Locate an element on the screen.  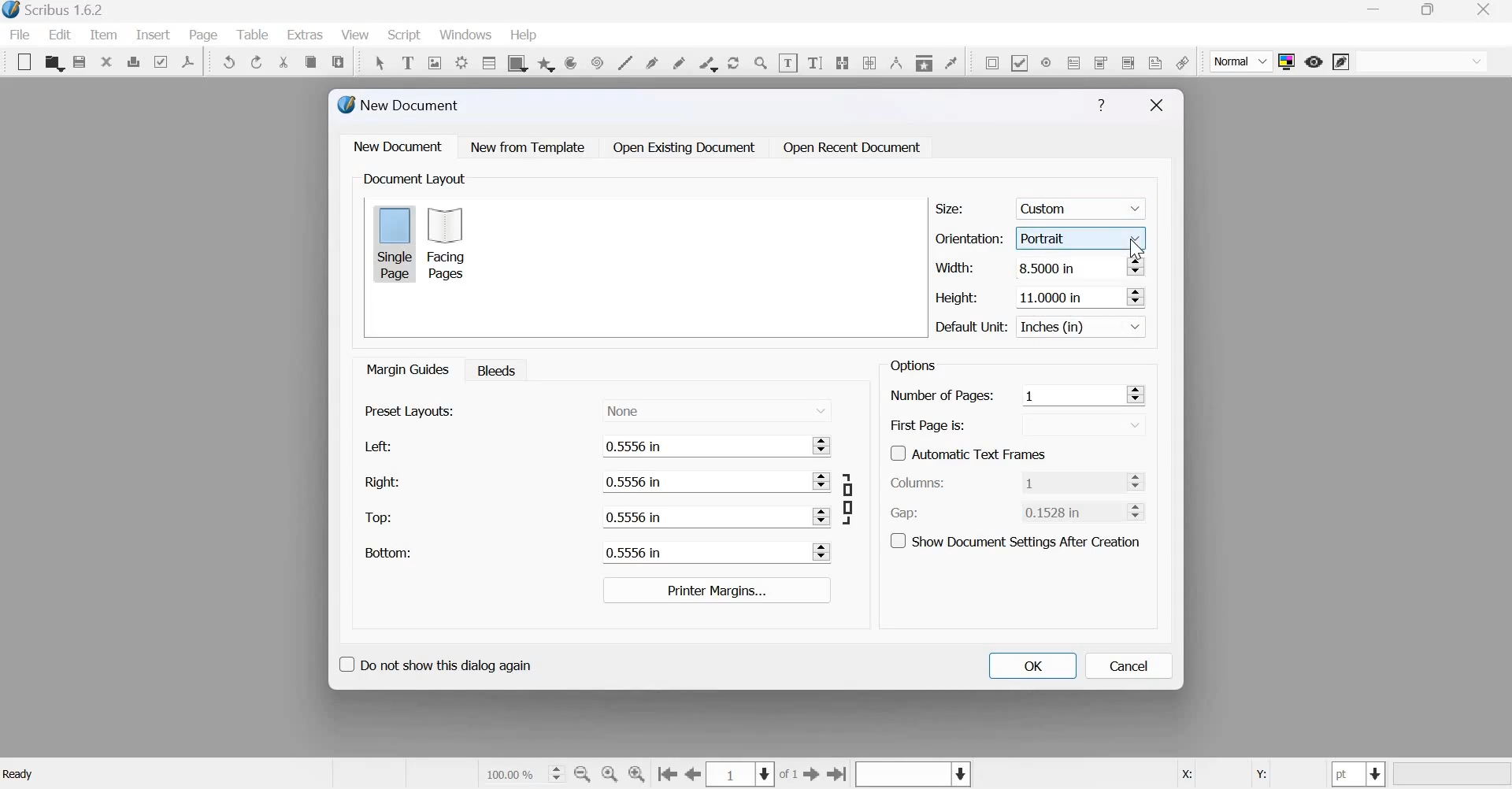
New document is located at coordinates (398, 146).